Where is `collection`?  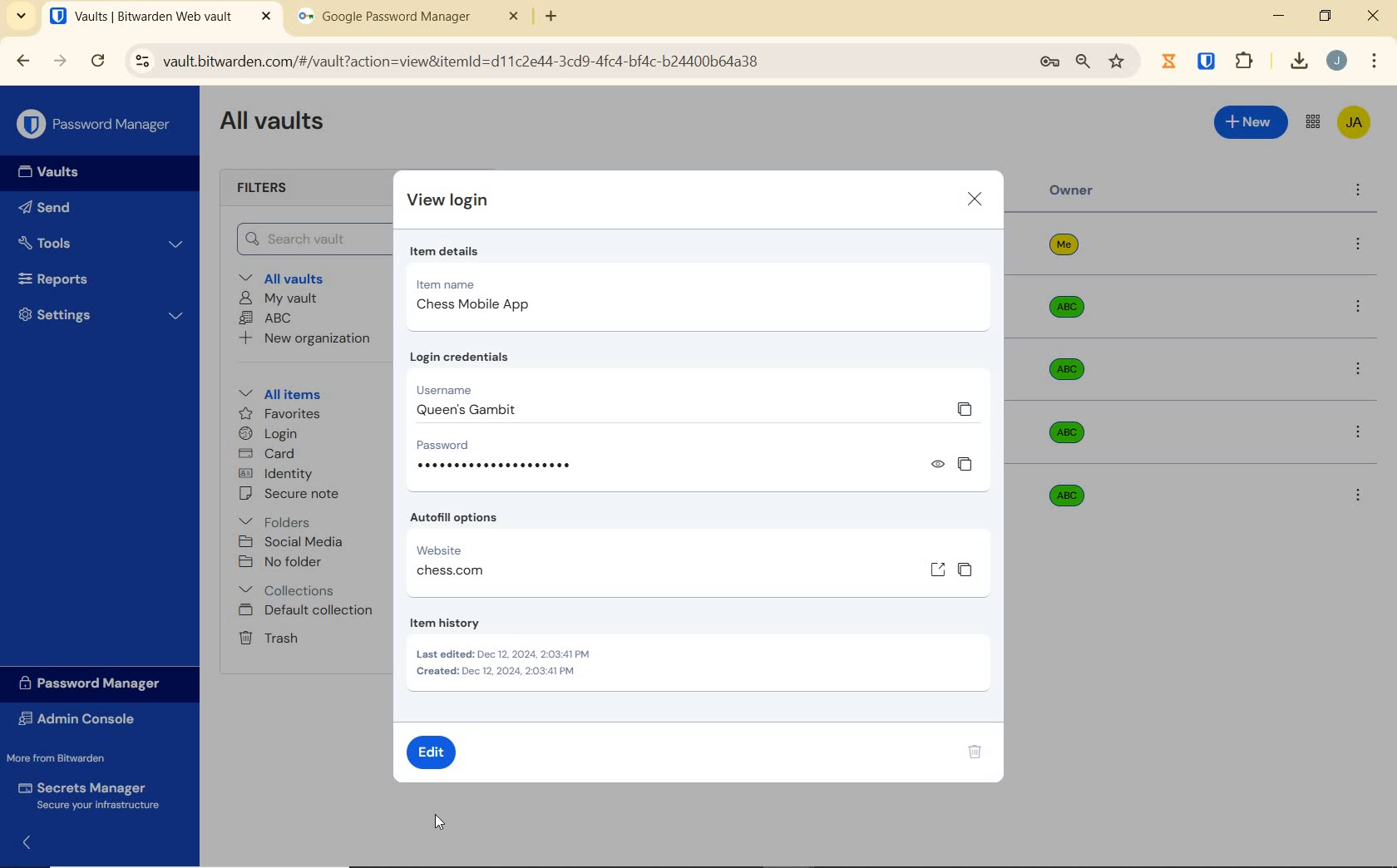 collection is located at coordinates (288, 590).